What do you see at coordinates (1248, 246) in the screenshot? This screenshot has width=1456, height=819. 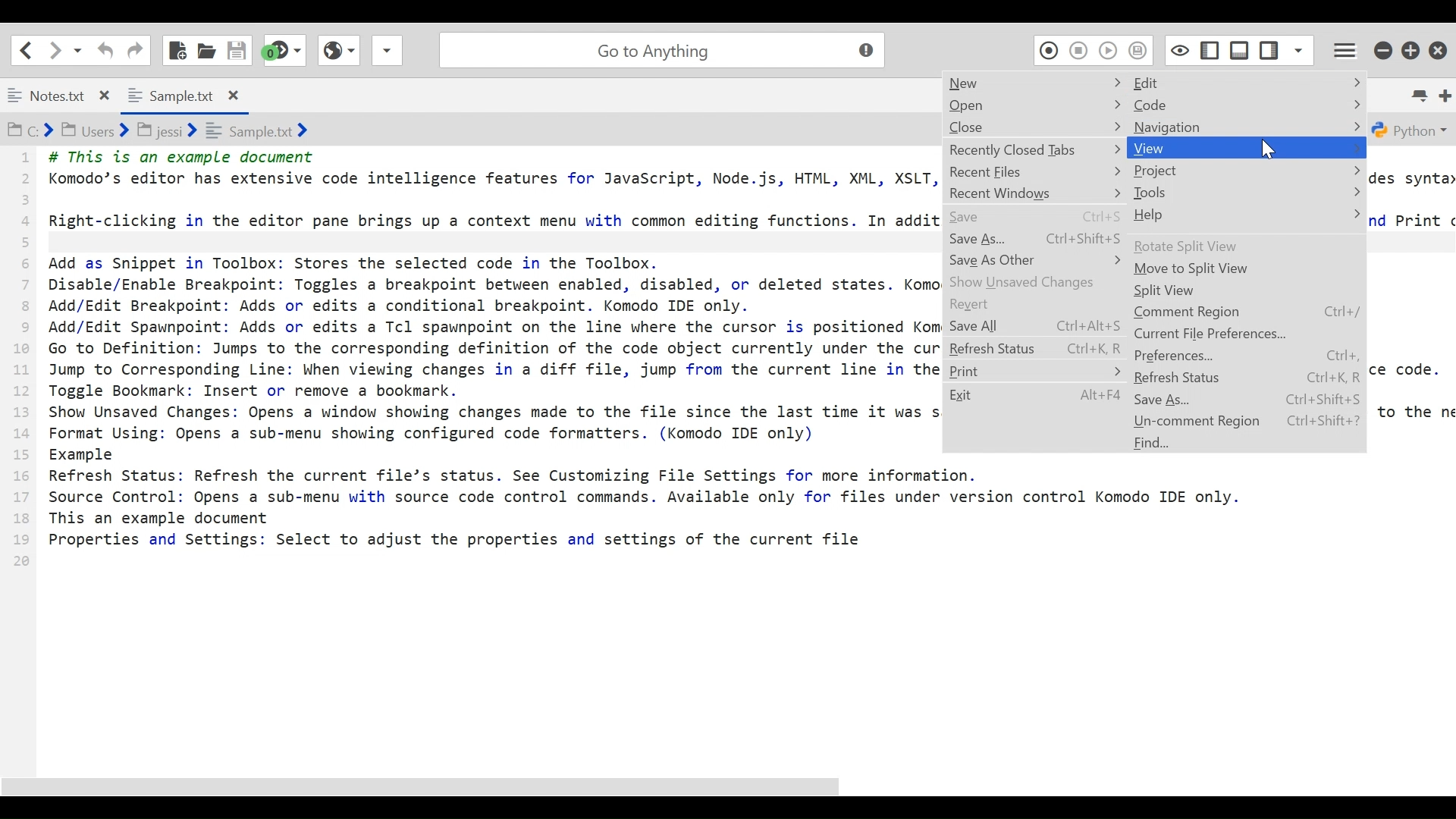 I see `Rotate Split View` at bounding box center [1248, 246].